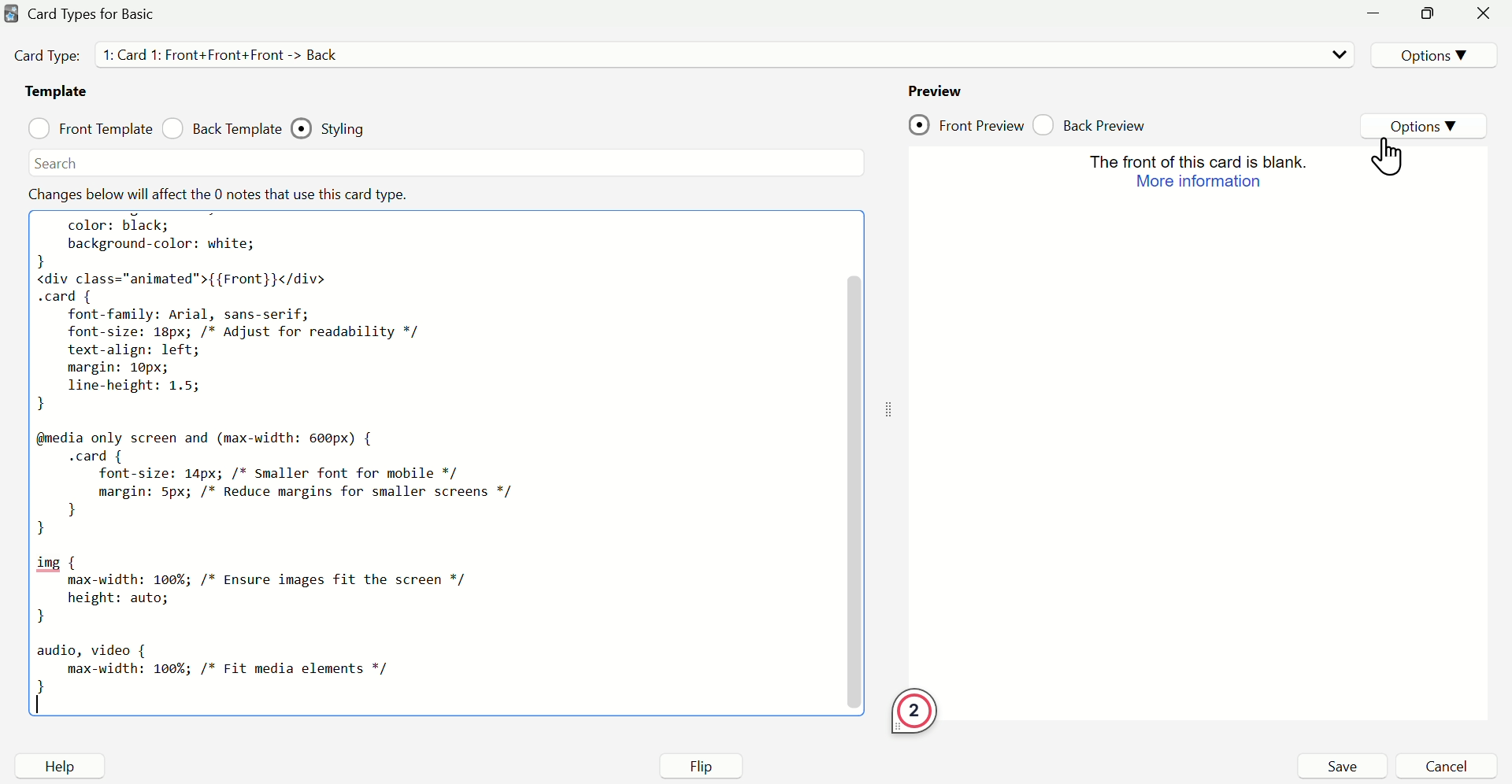 Image resolution: width=1512 pixels, height=784 pixels. Describe the element at coordinates (935, 87) in the screenshot. I see `Preview` at that location.